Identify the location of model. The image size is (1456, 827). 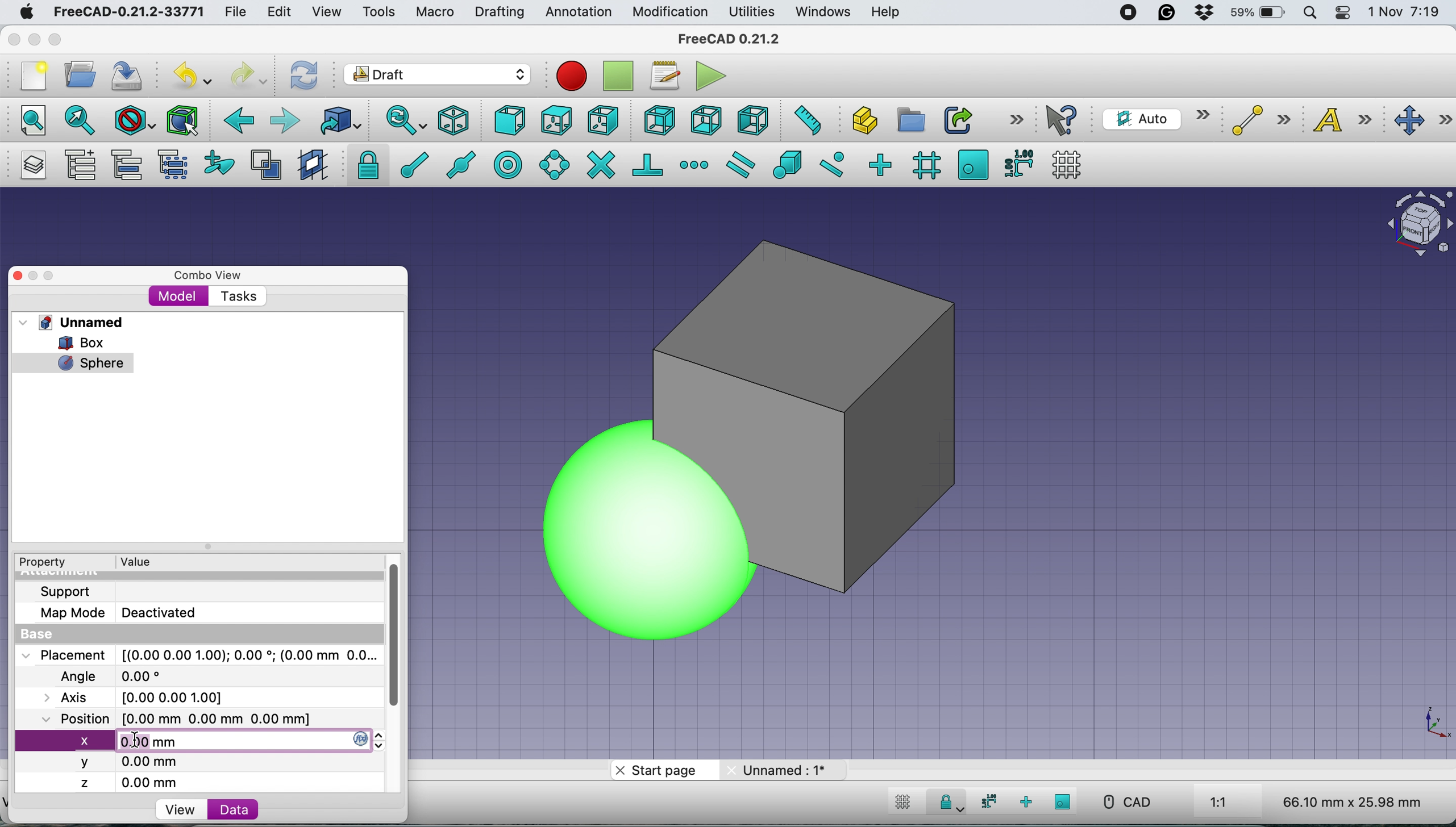
(178, 295).